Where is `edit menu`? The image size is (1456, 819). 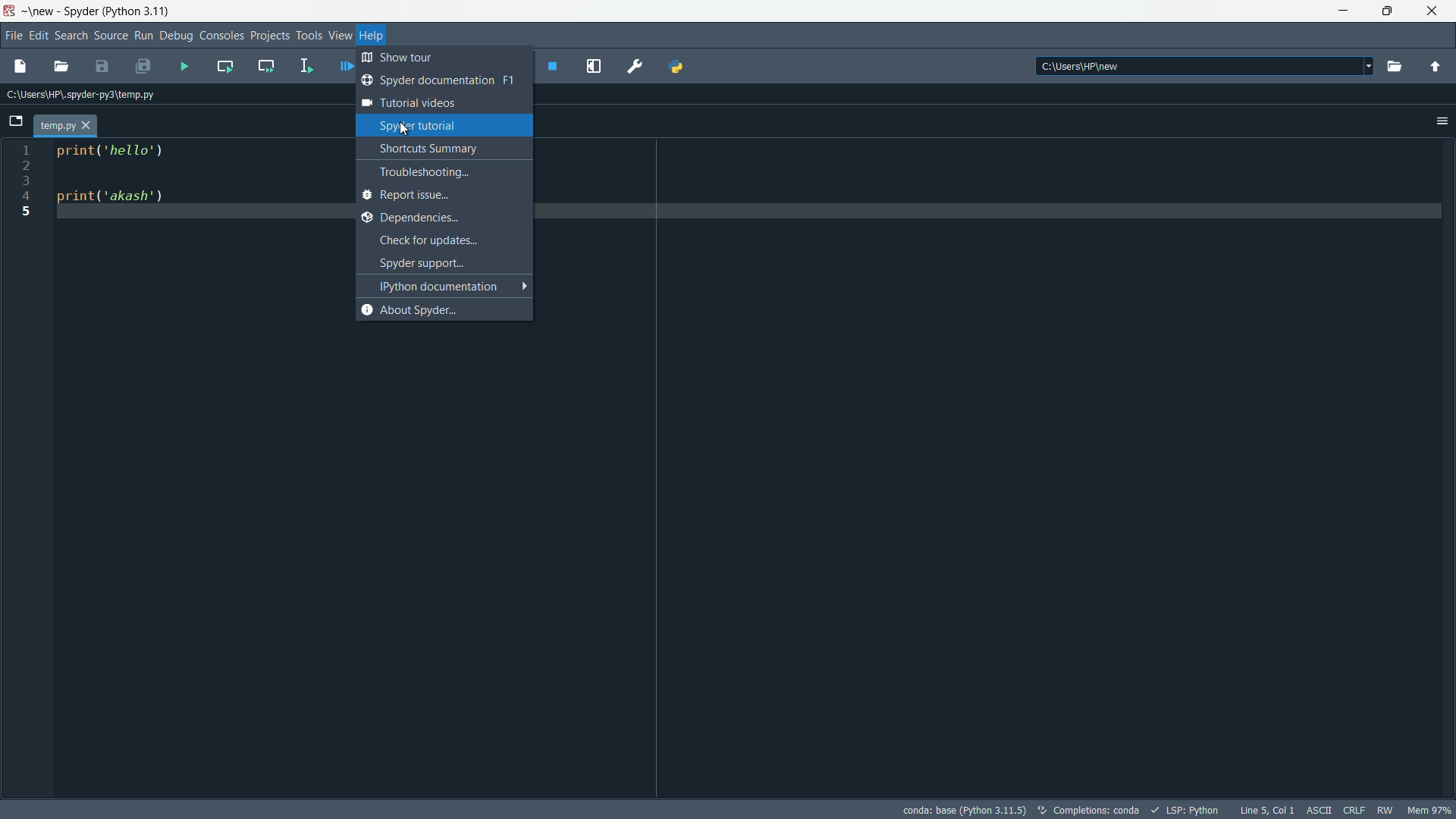
edit menu is located at coordinates (39, 35).